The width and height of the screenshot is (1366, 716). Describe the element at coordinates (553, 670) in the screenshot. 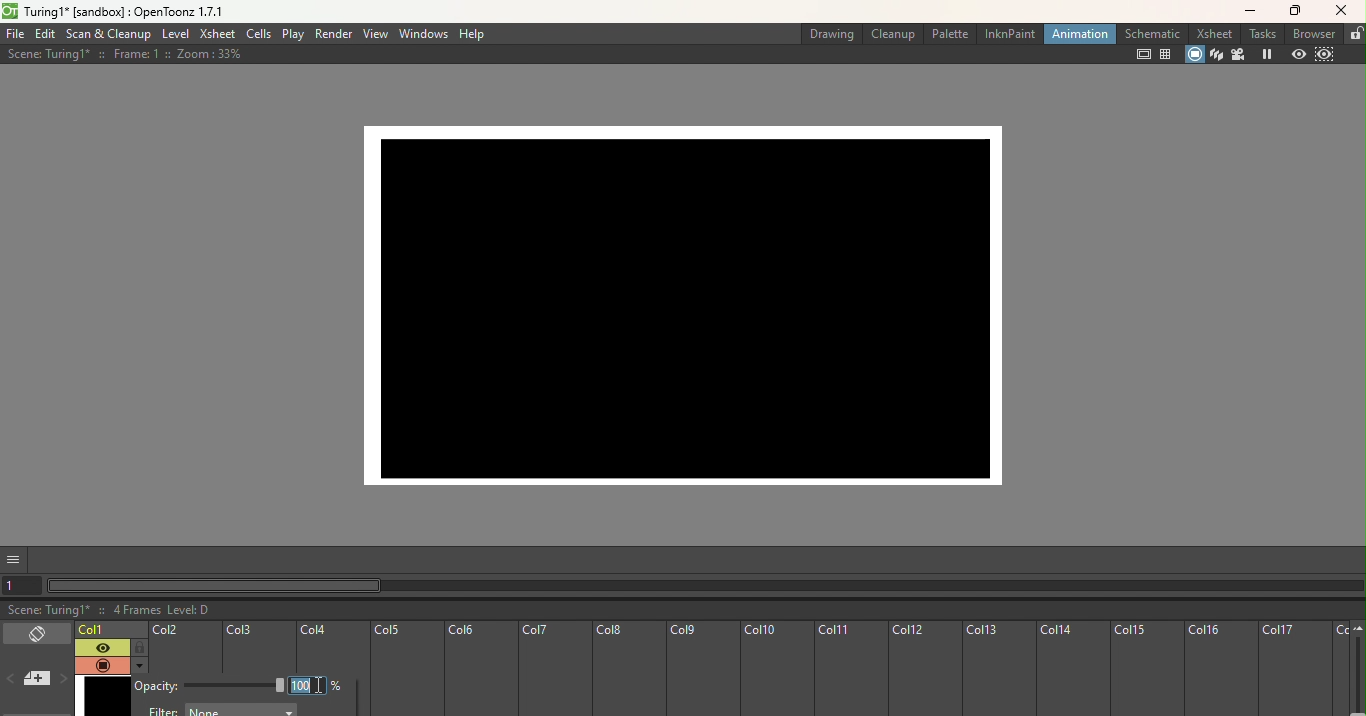

I see `Col7` at that location.